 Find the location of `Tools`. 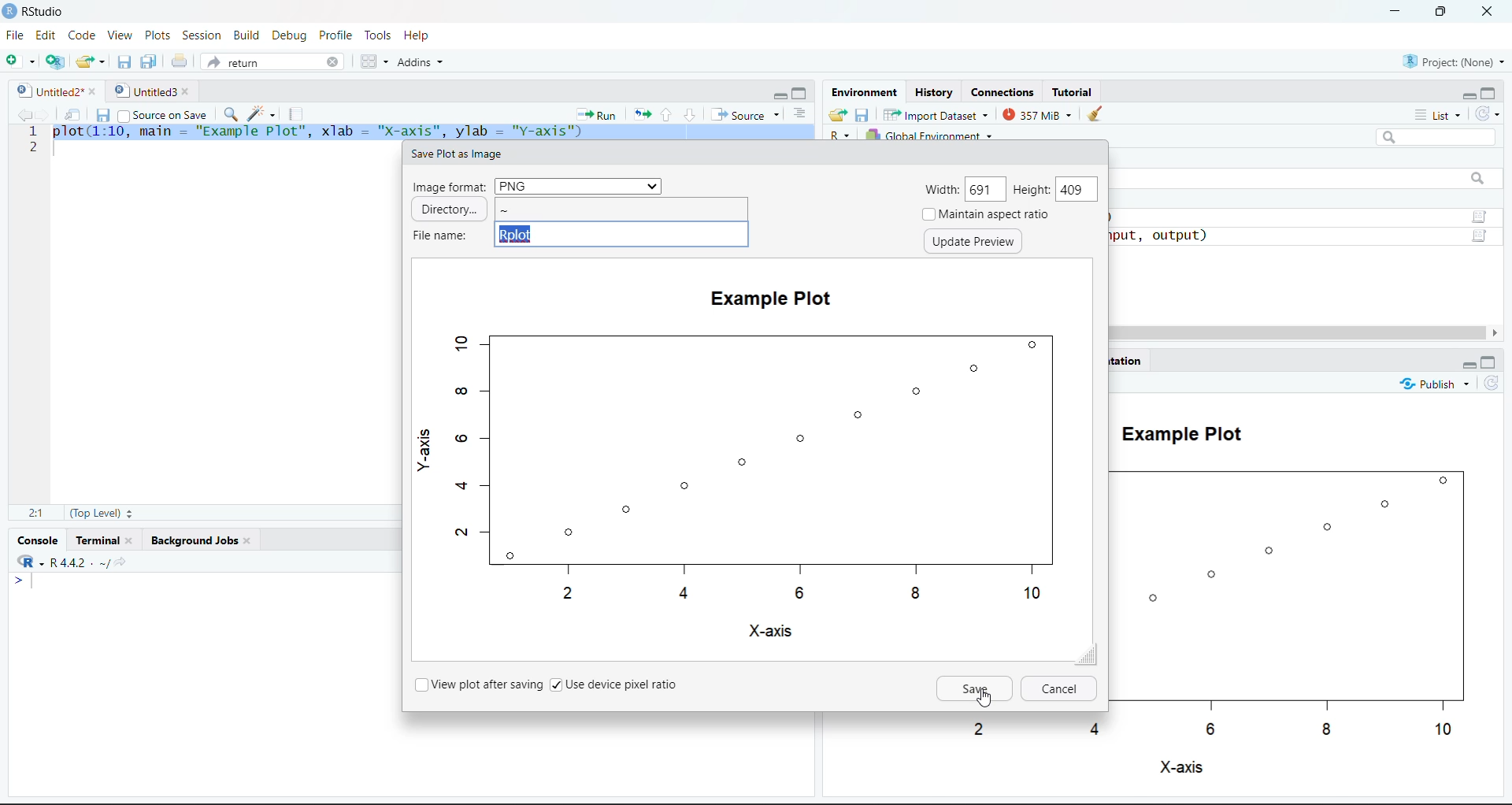

Tools is located at coordinates (380, 35).